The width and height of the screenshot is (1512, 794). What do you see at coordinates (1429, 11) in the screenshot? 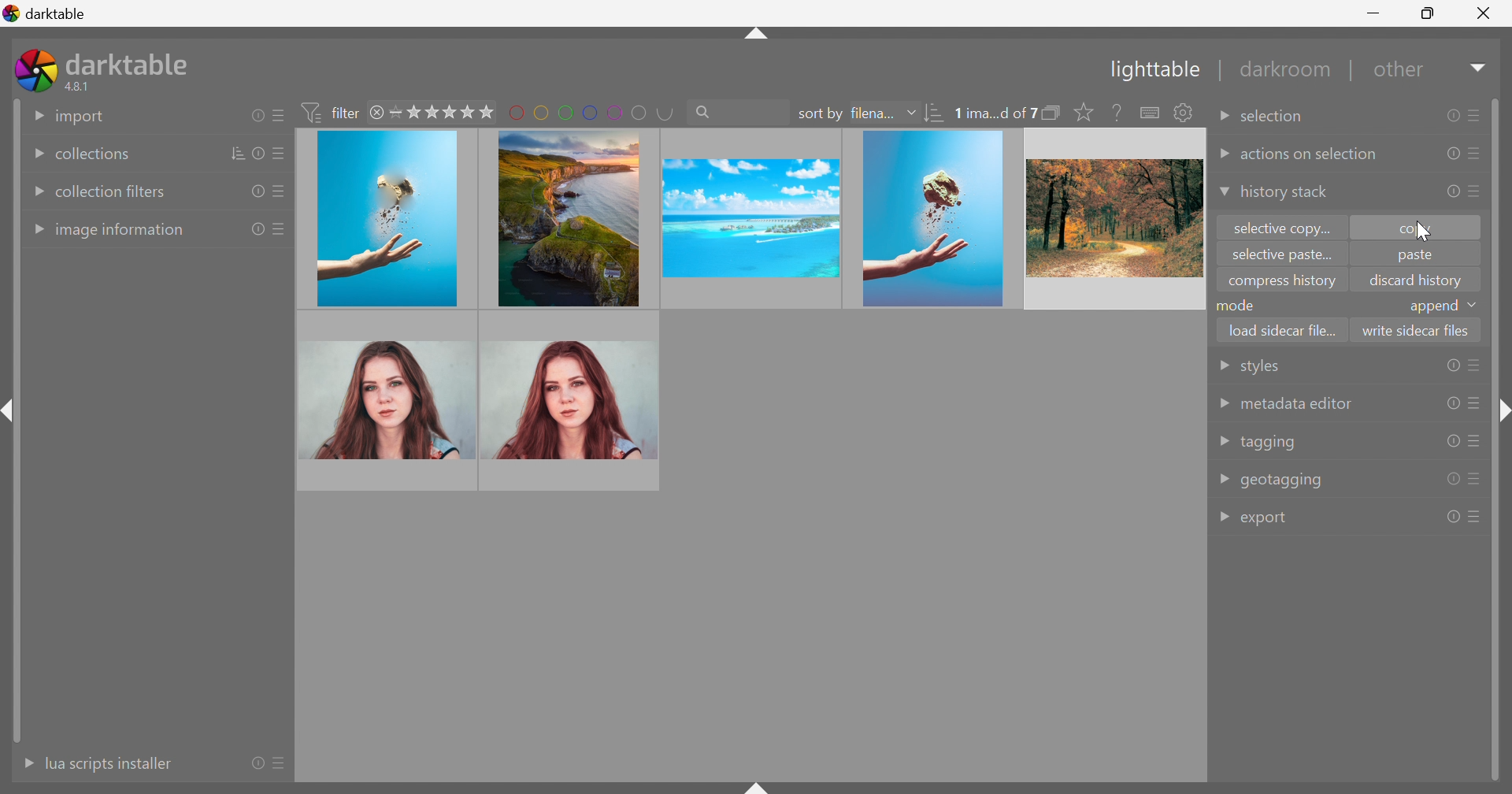
I see `Restore Down` at bounding box center [1429, 11].